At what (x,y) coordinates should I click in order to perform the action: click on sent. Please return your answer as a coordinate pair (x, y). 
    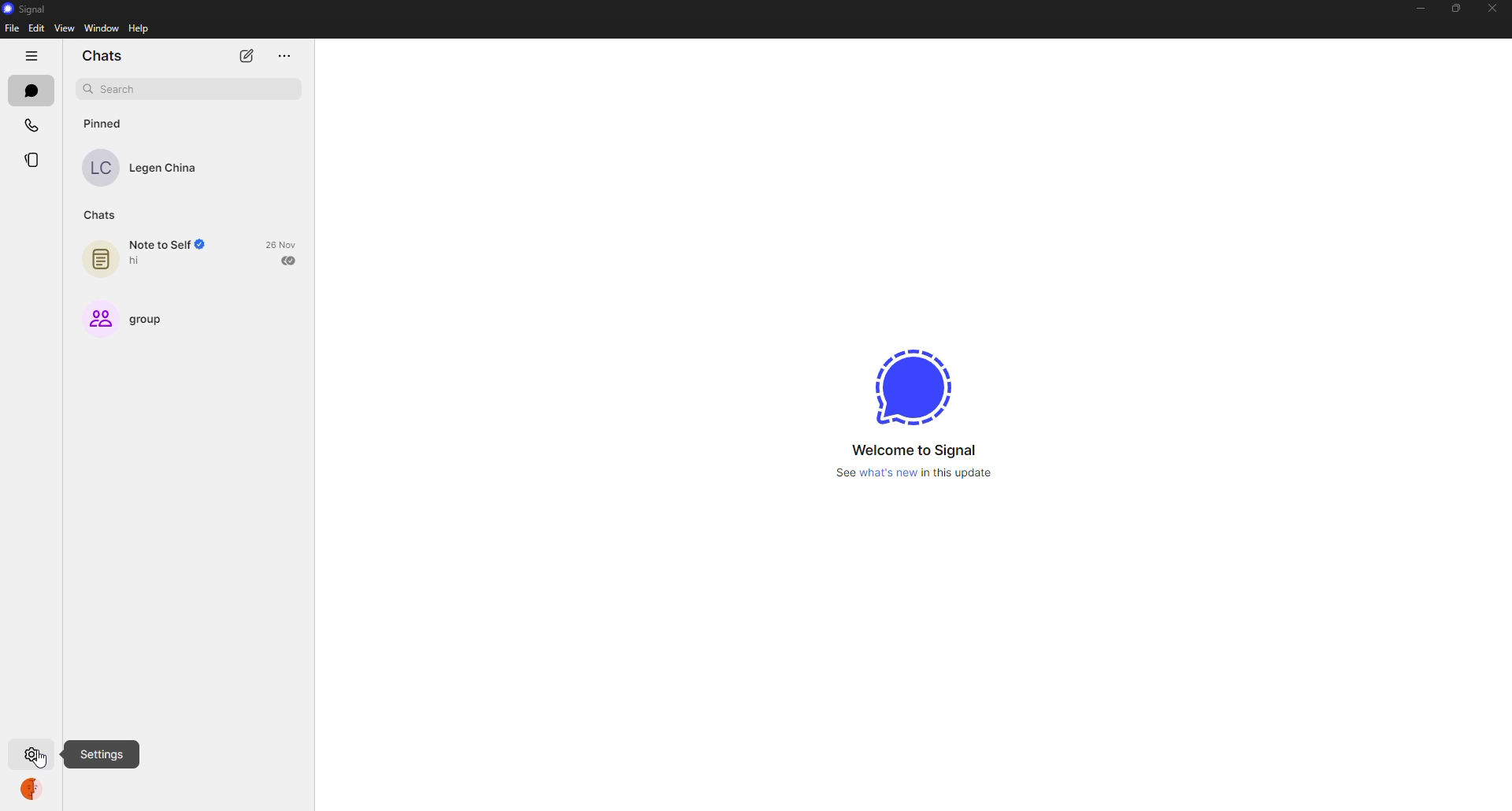
    Looking at the image, I should click on (289, 260).